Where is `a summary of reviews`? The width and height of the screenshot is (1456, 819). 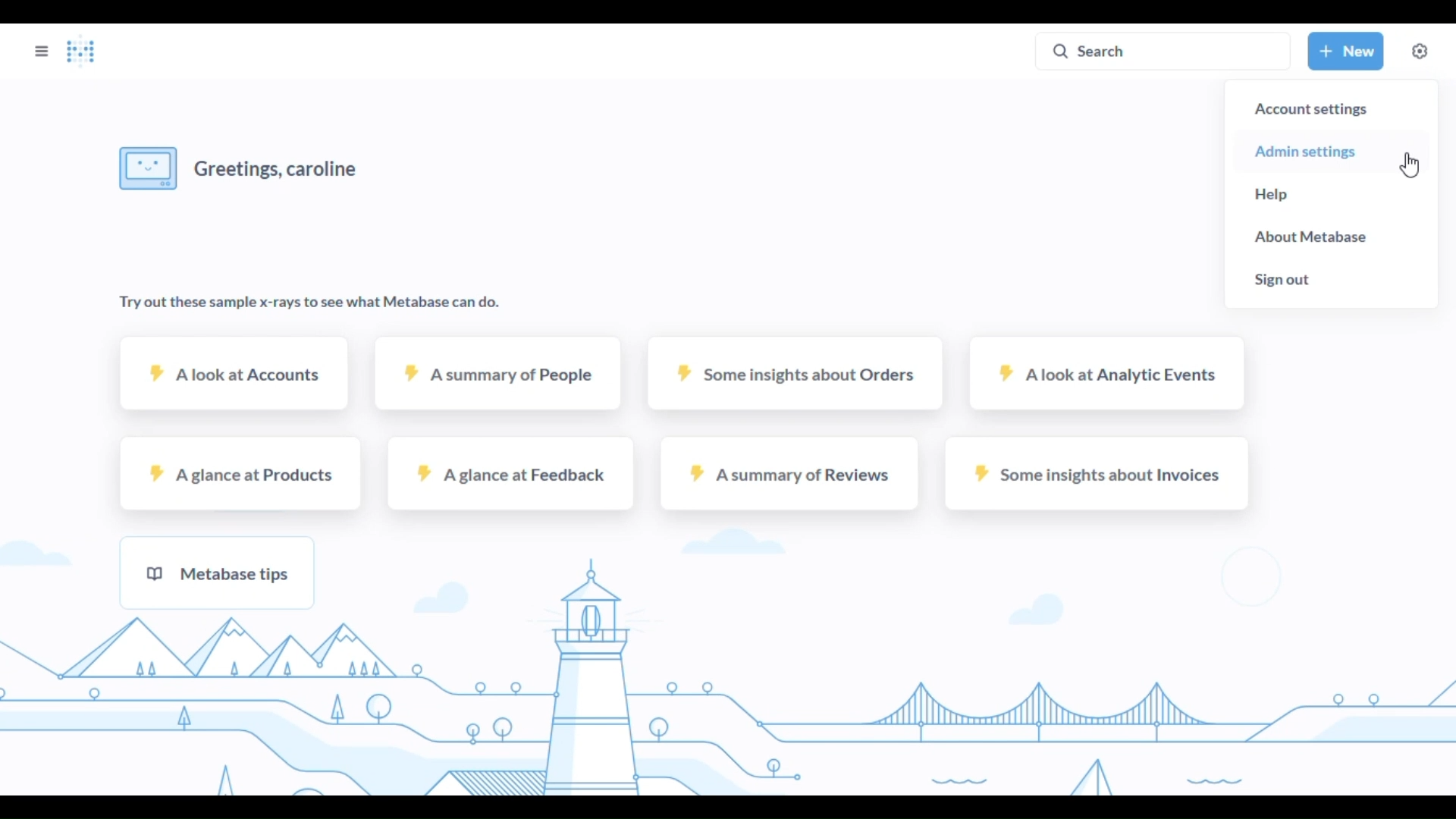 a summary of reviews is located at coordinates (788, 473).